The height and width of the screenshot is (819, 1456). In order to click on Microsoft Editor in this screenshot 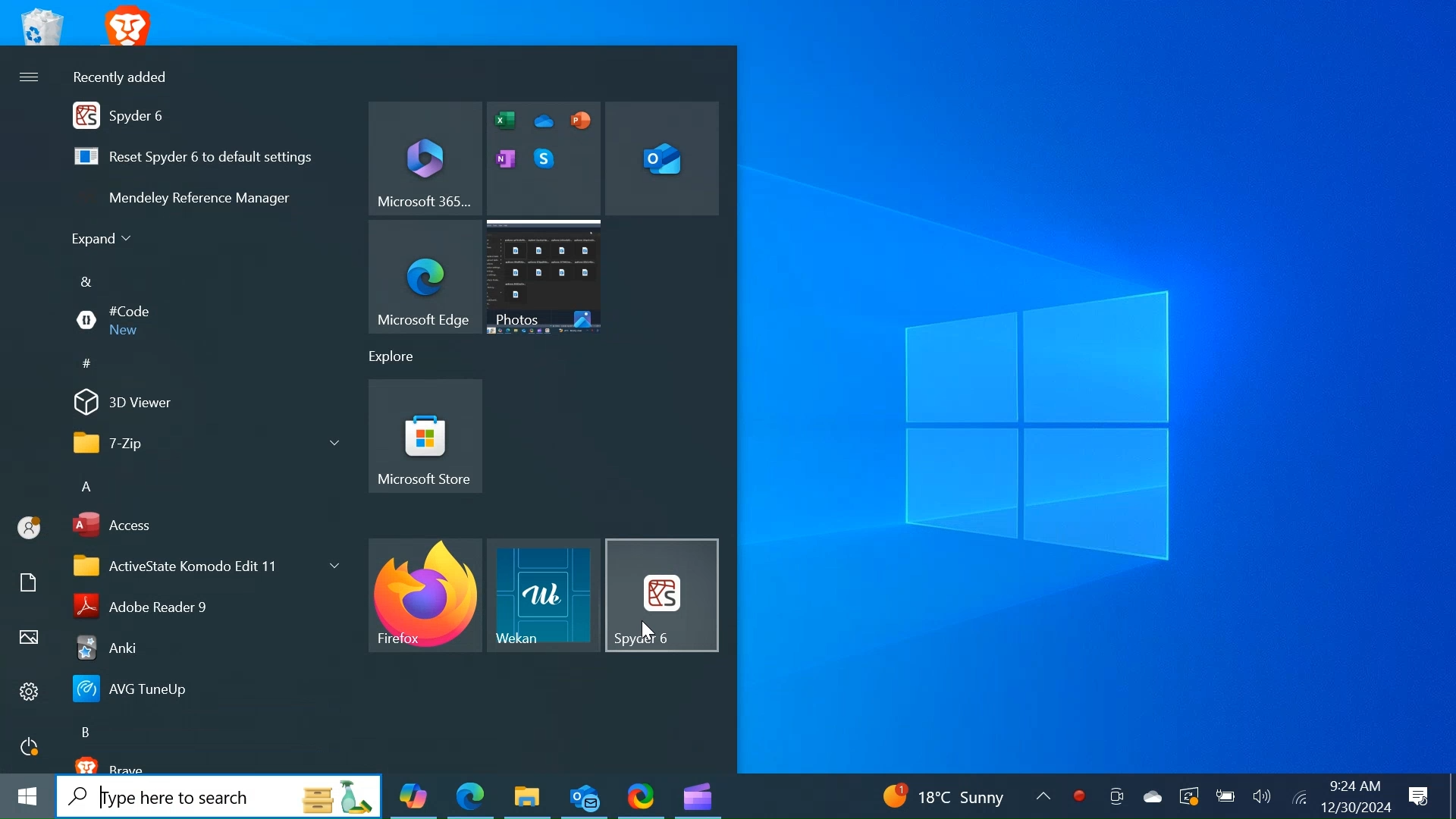, I will do `click(544, 158)`.